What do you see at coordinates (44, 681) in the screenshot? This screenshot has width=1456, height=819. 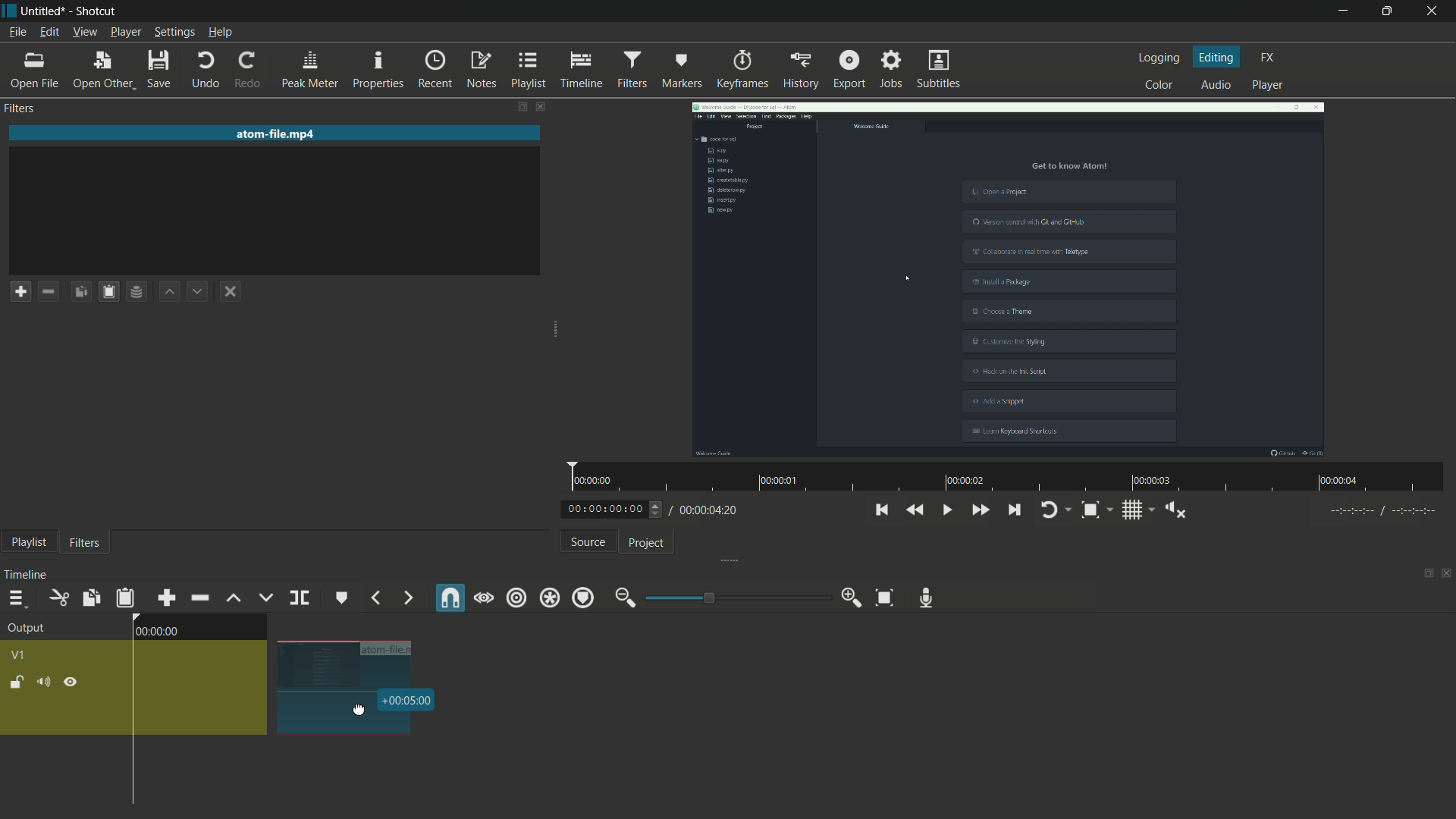 I see `mute/unmute` at bounding box center [44, 681].